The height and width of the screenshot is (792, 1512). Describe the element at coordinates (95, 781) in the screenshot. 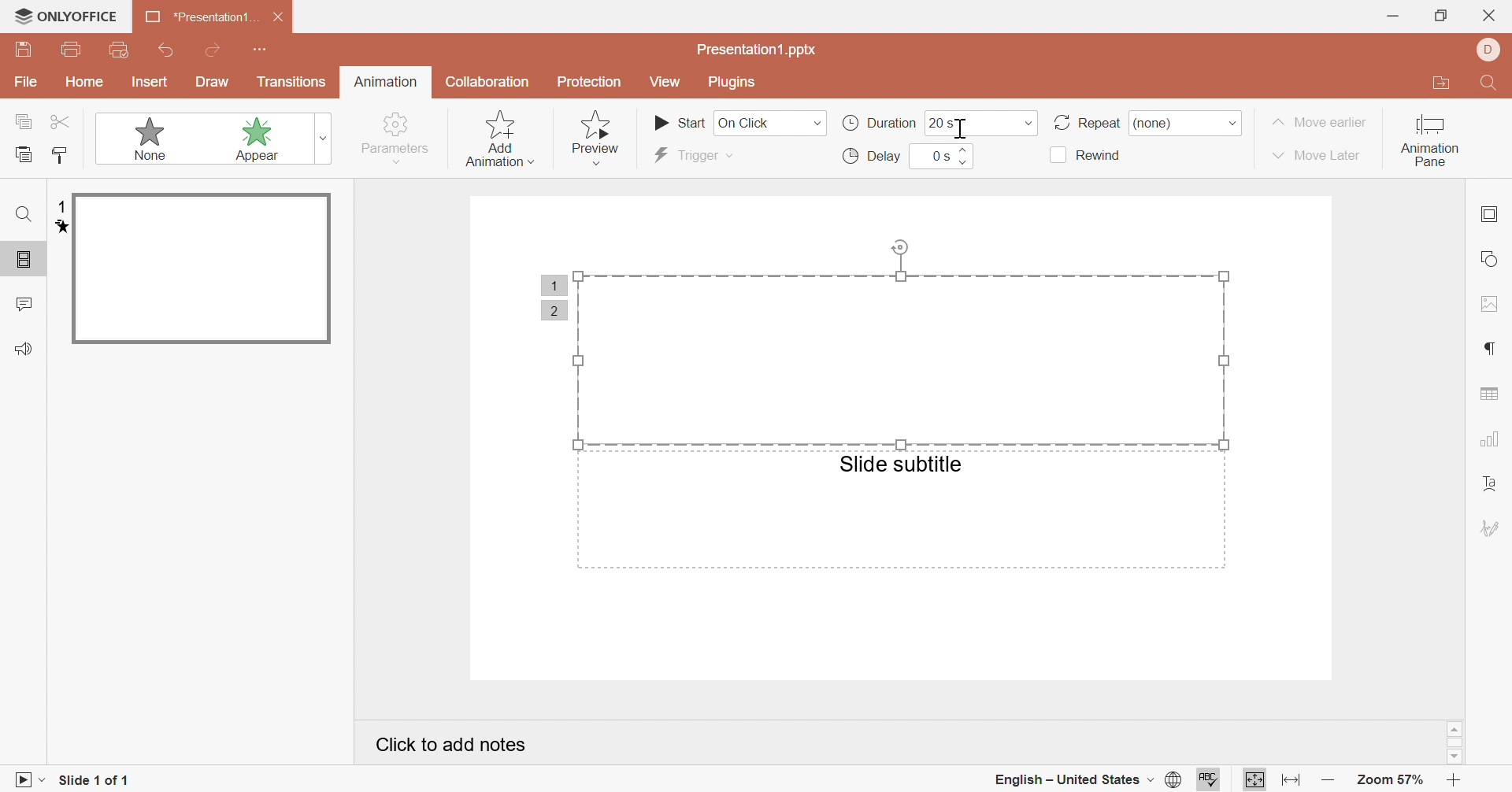

I see `slide 1 of 1` at that location.